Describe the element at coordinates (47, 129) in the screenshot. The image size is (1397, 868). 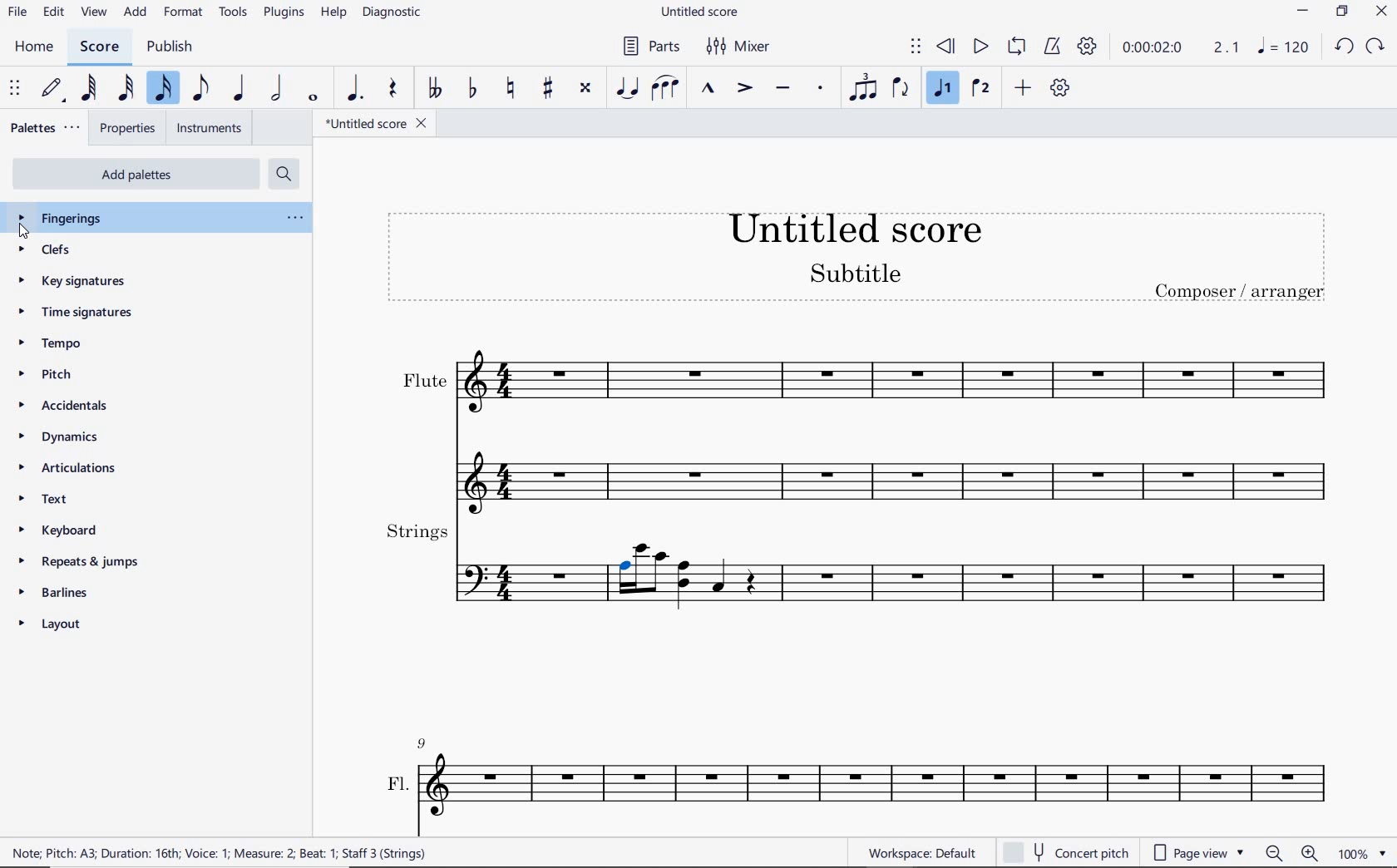
I see `palettes` at that location.